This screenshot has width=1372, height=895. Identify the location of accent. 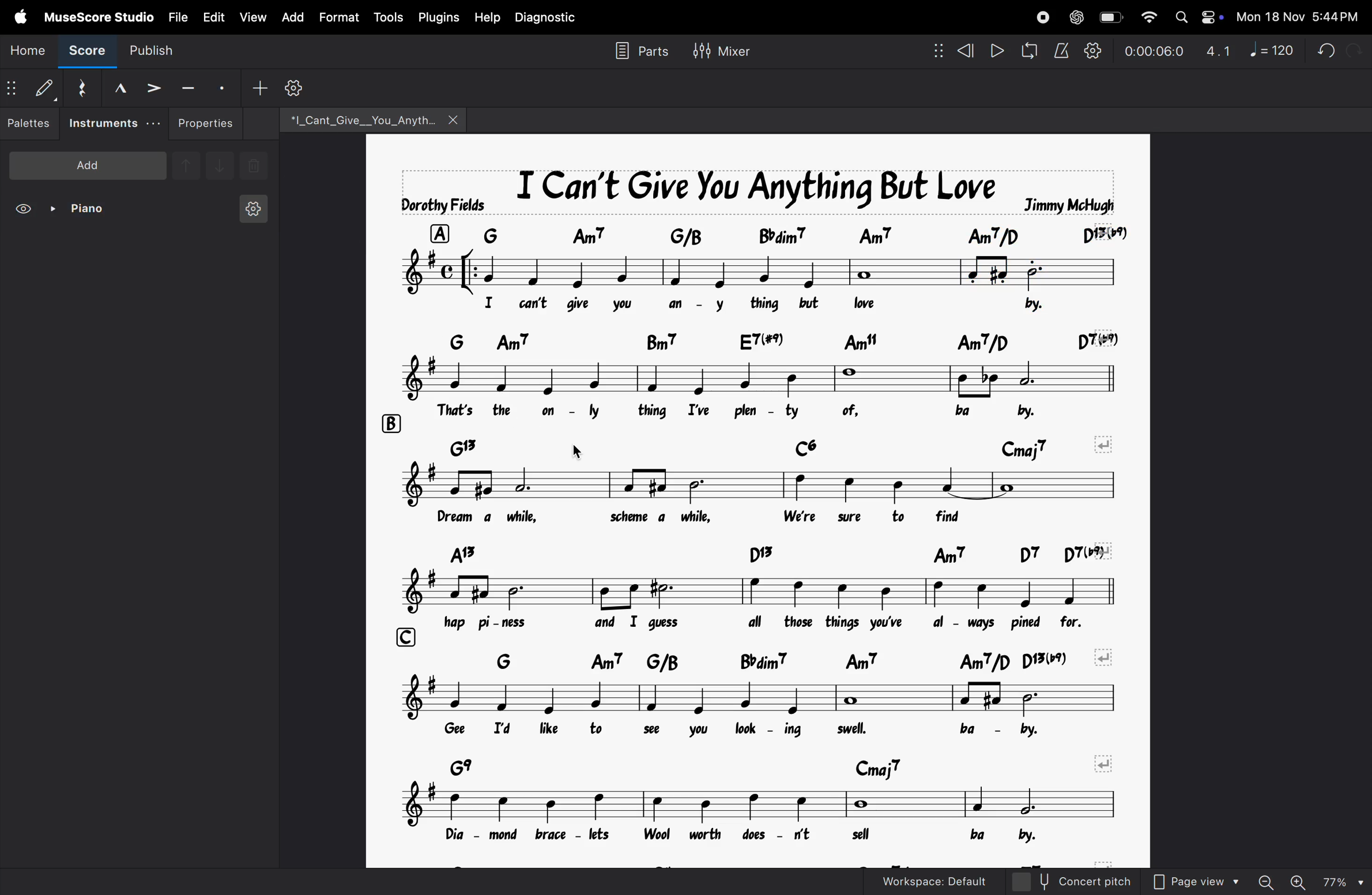
(153, 87).